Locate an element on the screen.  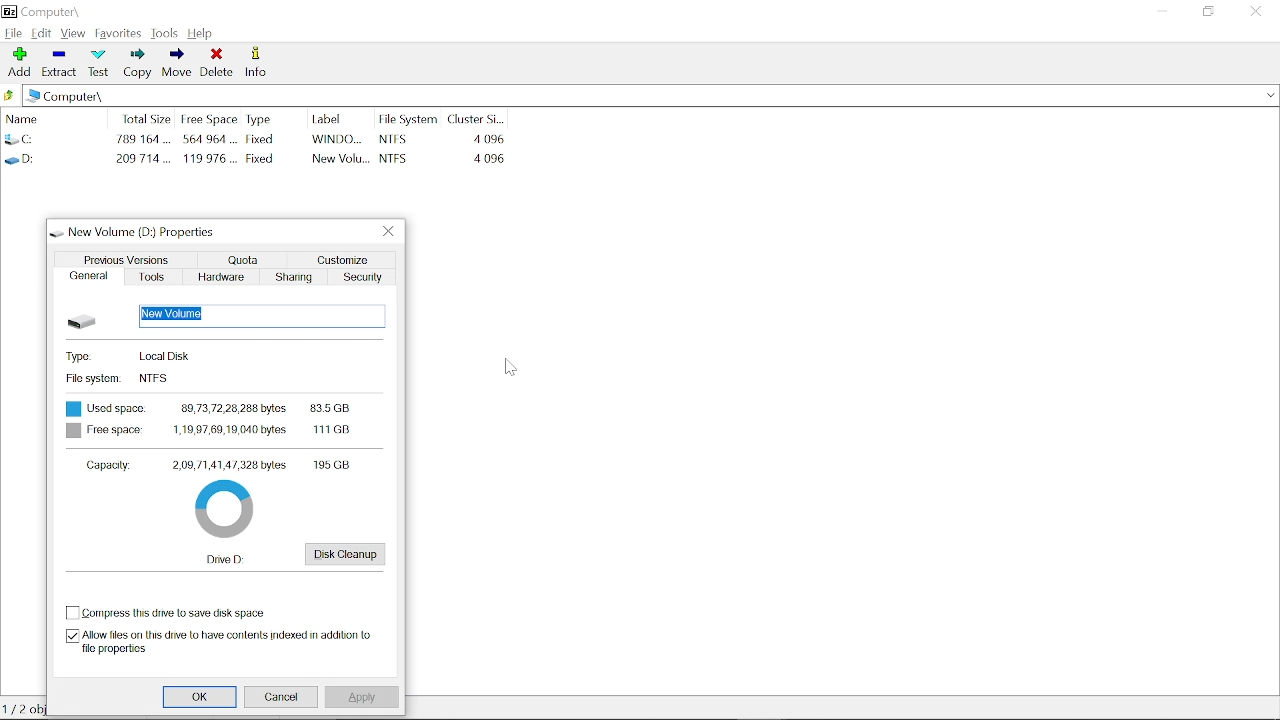
cursor is located at coordinates (514, 373).